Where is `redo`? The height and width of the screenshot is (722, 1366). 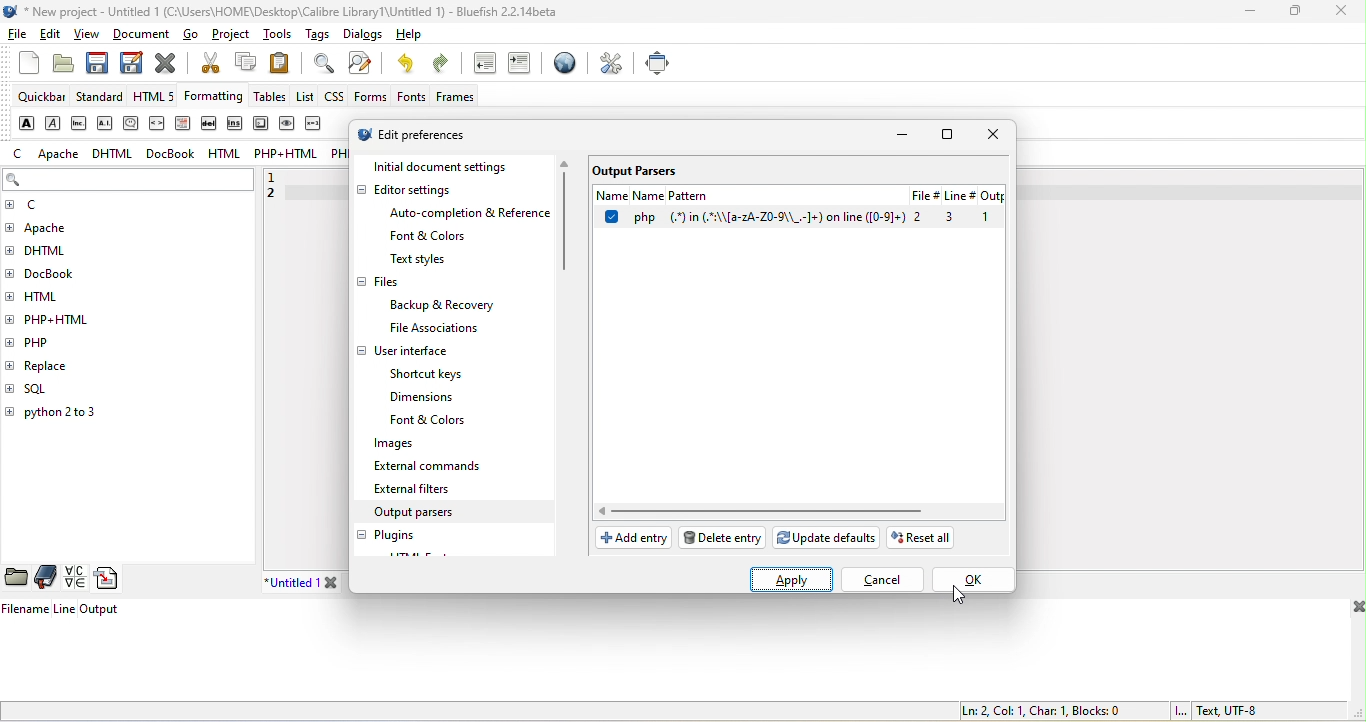
redo is located at coordinates (445, 66).